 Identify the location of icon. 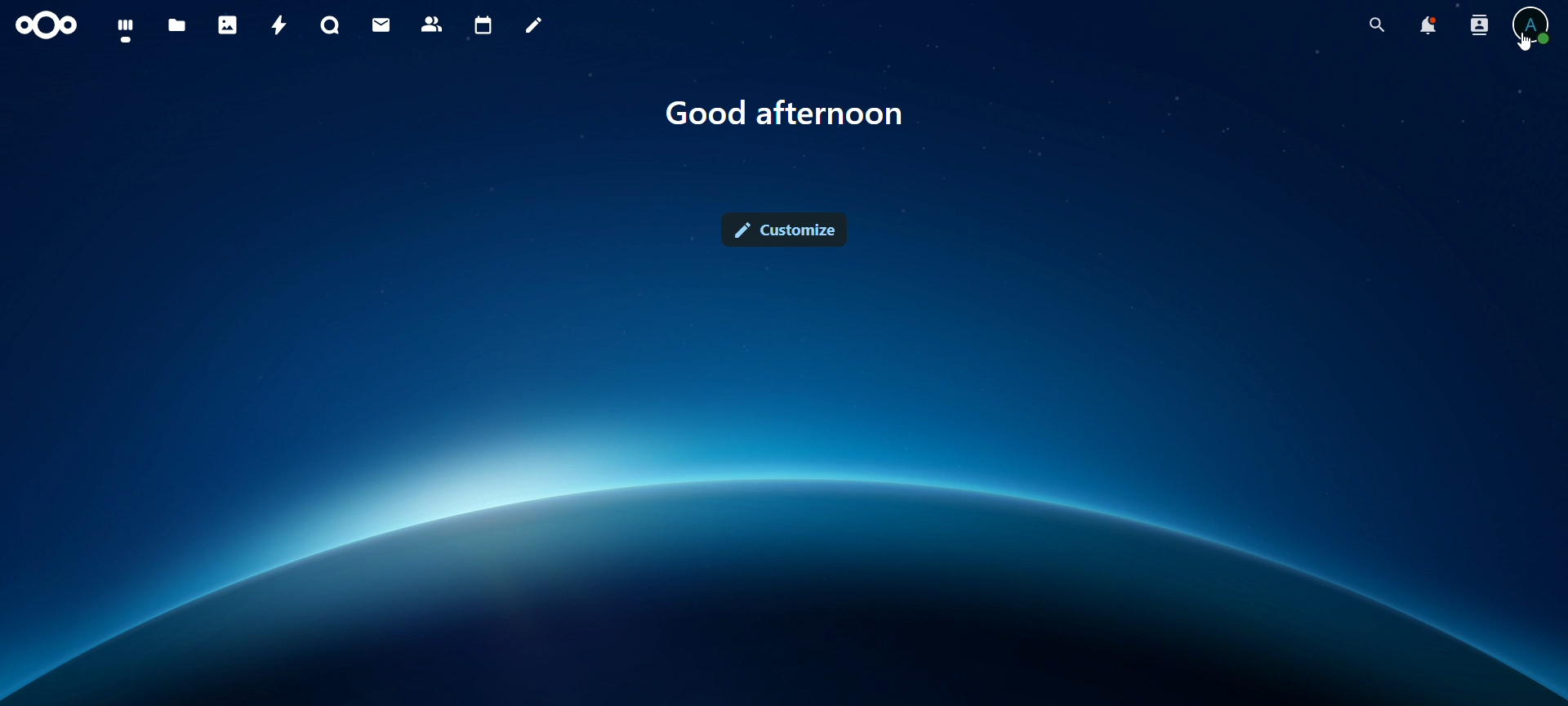
(46, 25).